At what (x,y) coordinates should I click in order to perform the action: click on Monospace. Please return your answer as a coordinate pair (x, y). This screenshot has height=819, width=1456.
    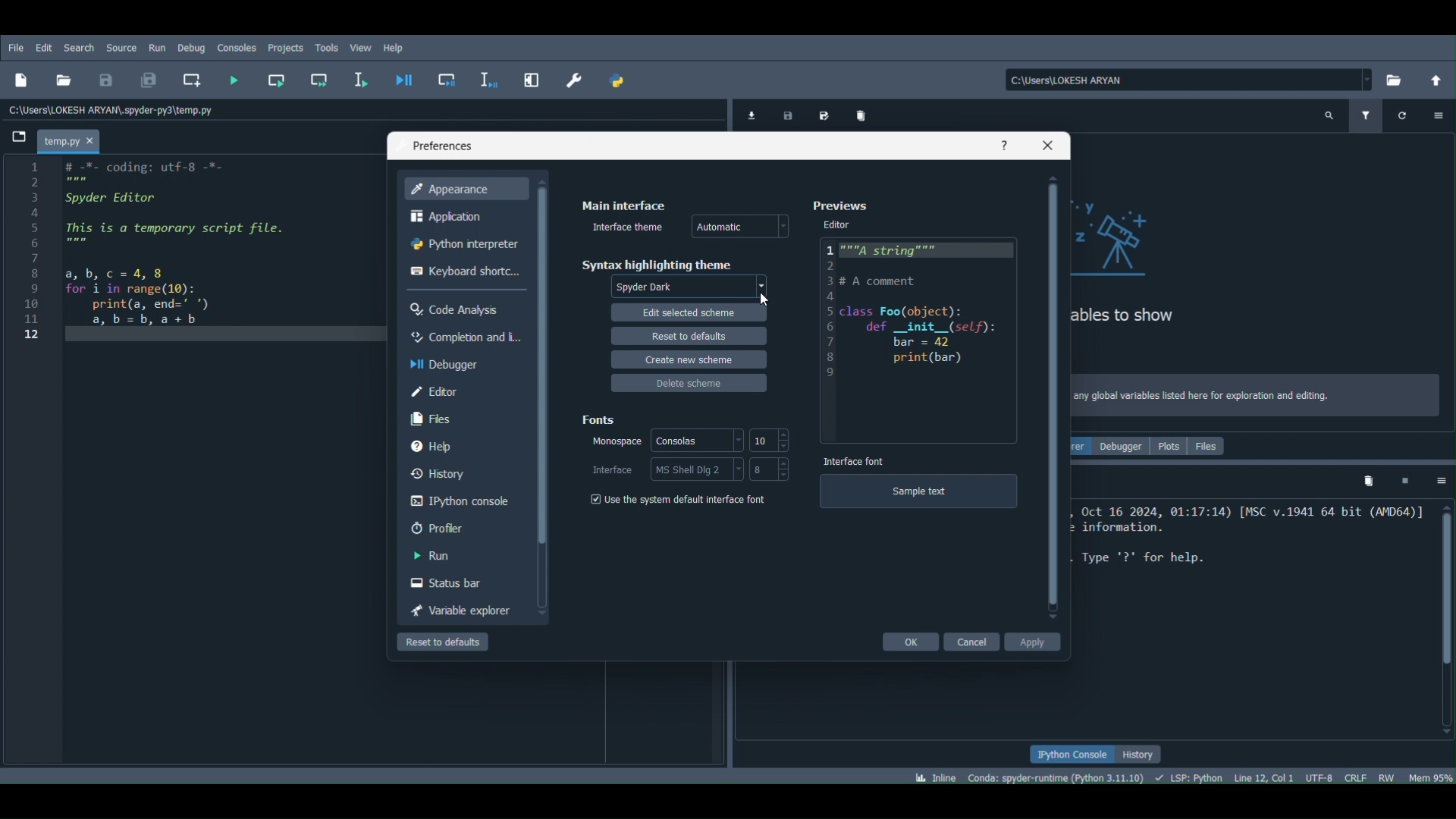
    Looking at the image, I should click on (616, 442).